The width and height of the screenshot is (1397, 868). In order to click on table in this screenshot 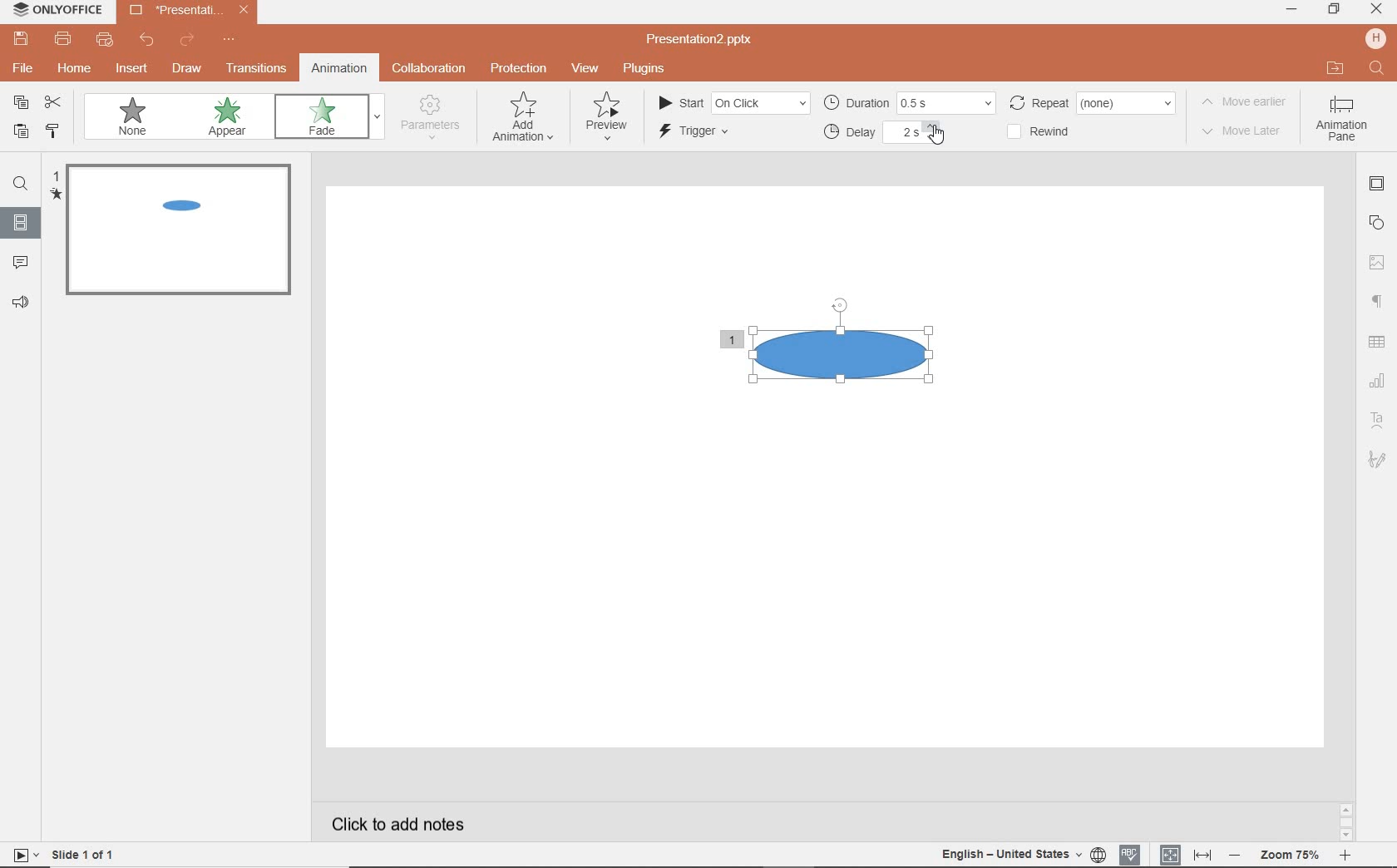, I will do `click(1376, 341)`.